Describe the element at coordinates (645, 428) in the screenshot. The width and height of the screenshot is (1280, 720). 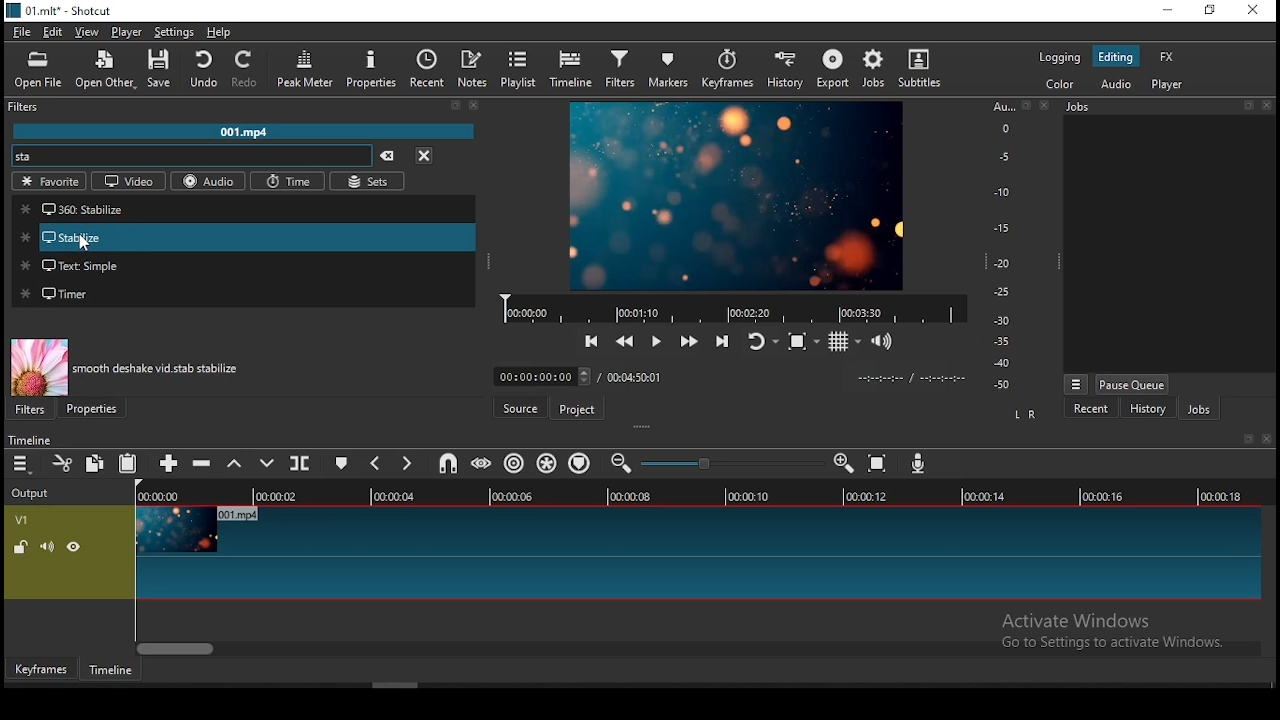
I see `drag` at that location.